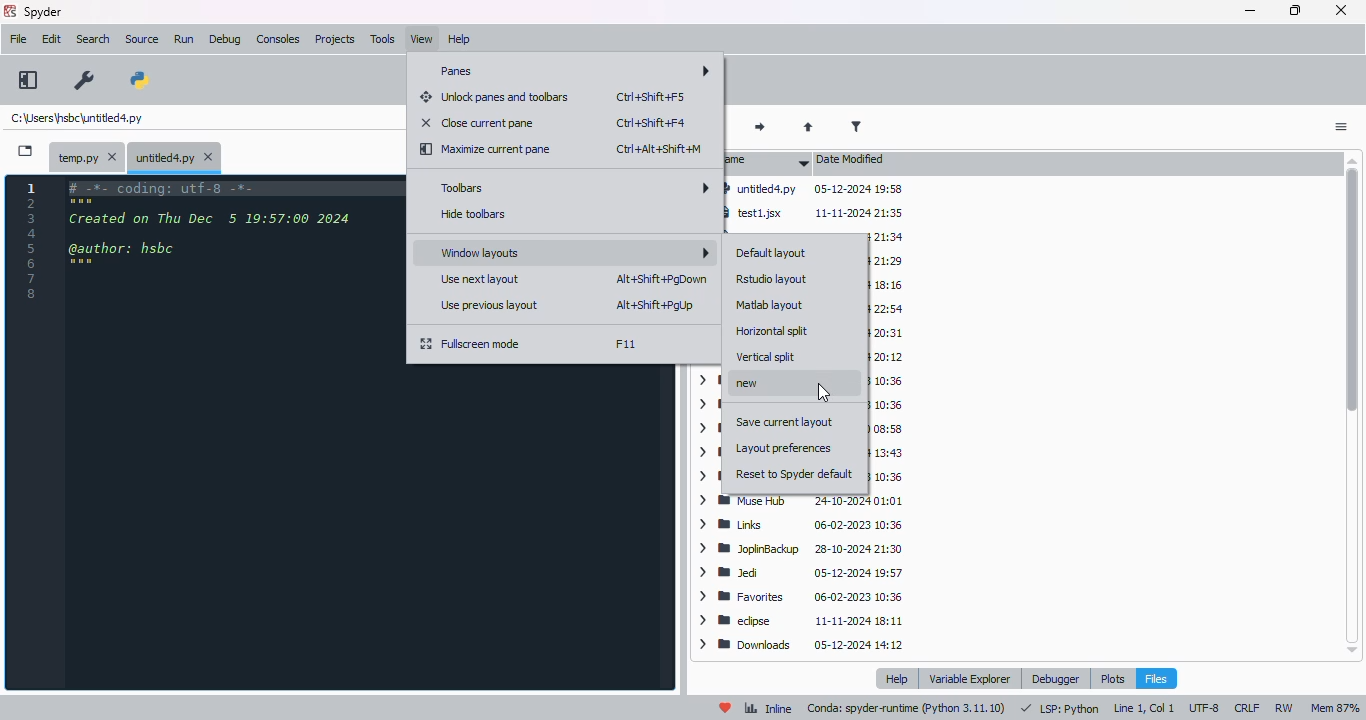 The image size is (1366, 720). What do you see at coordinates (768, 709) in the screenshot?
I see `inline` at bounding box center [768, 709].